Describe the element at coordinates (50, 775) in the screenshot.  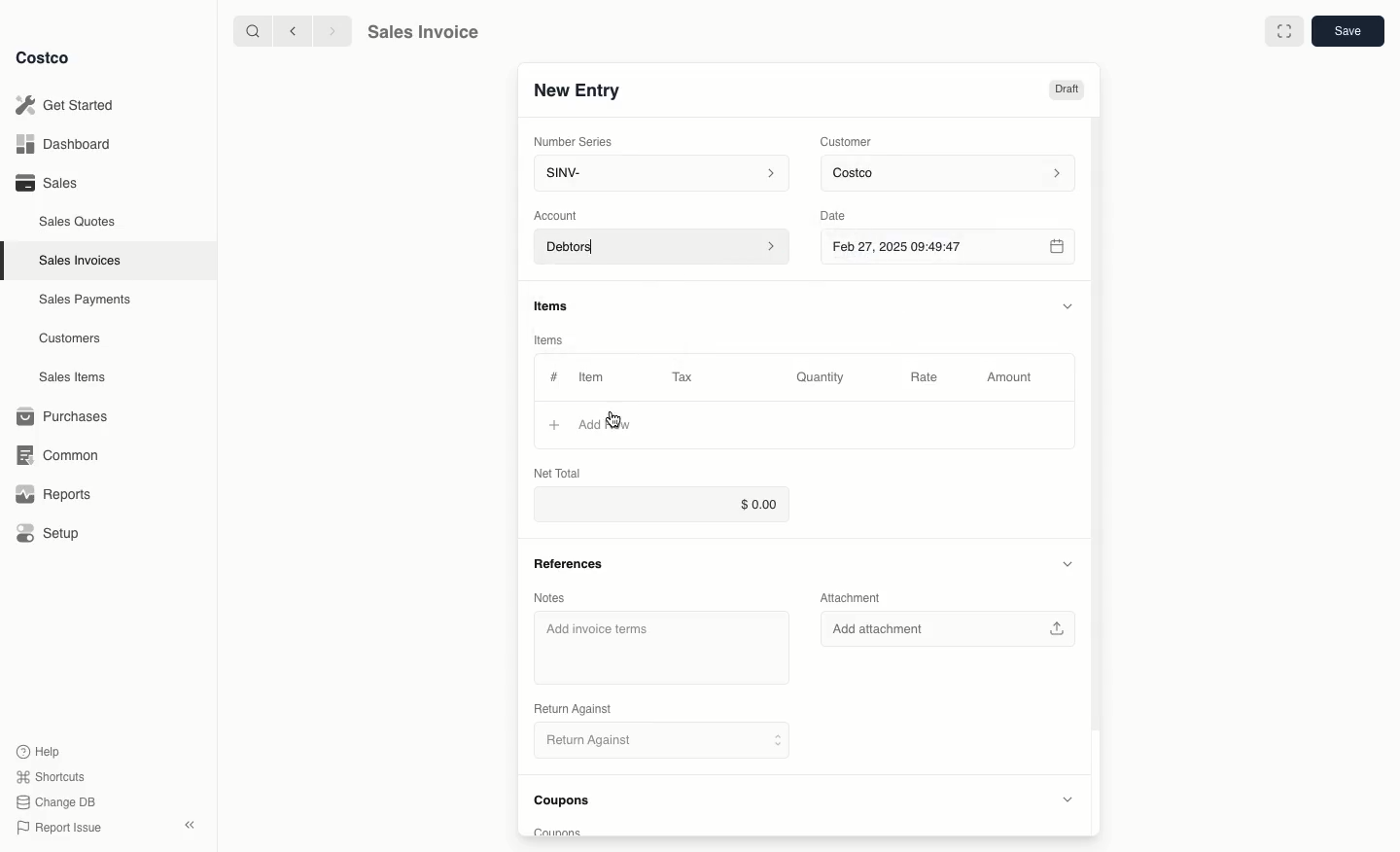
I see `Shortcuts` at that location.